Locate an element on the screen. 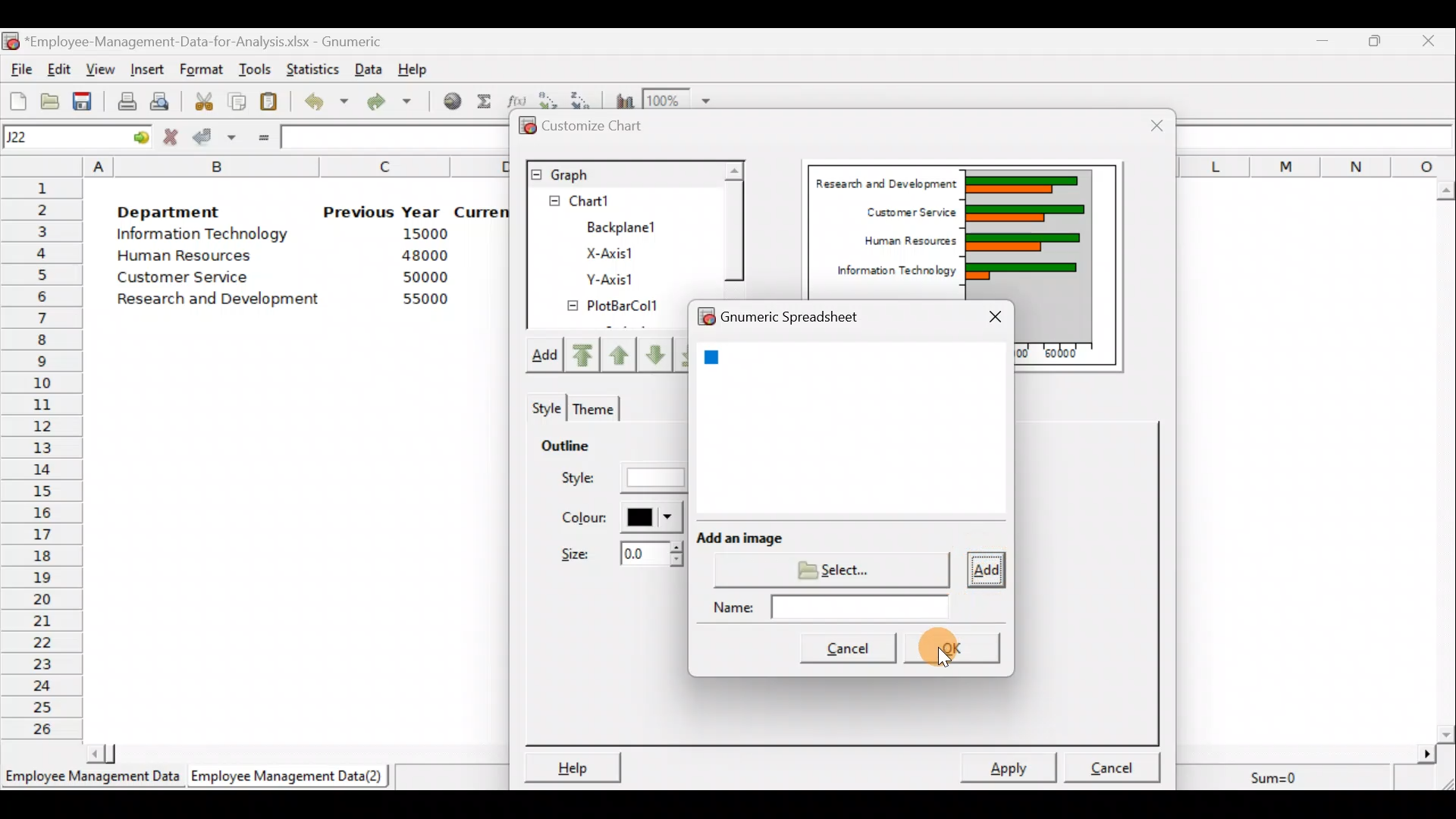  Close is located at coordinates (1147, 124).